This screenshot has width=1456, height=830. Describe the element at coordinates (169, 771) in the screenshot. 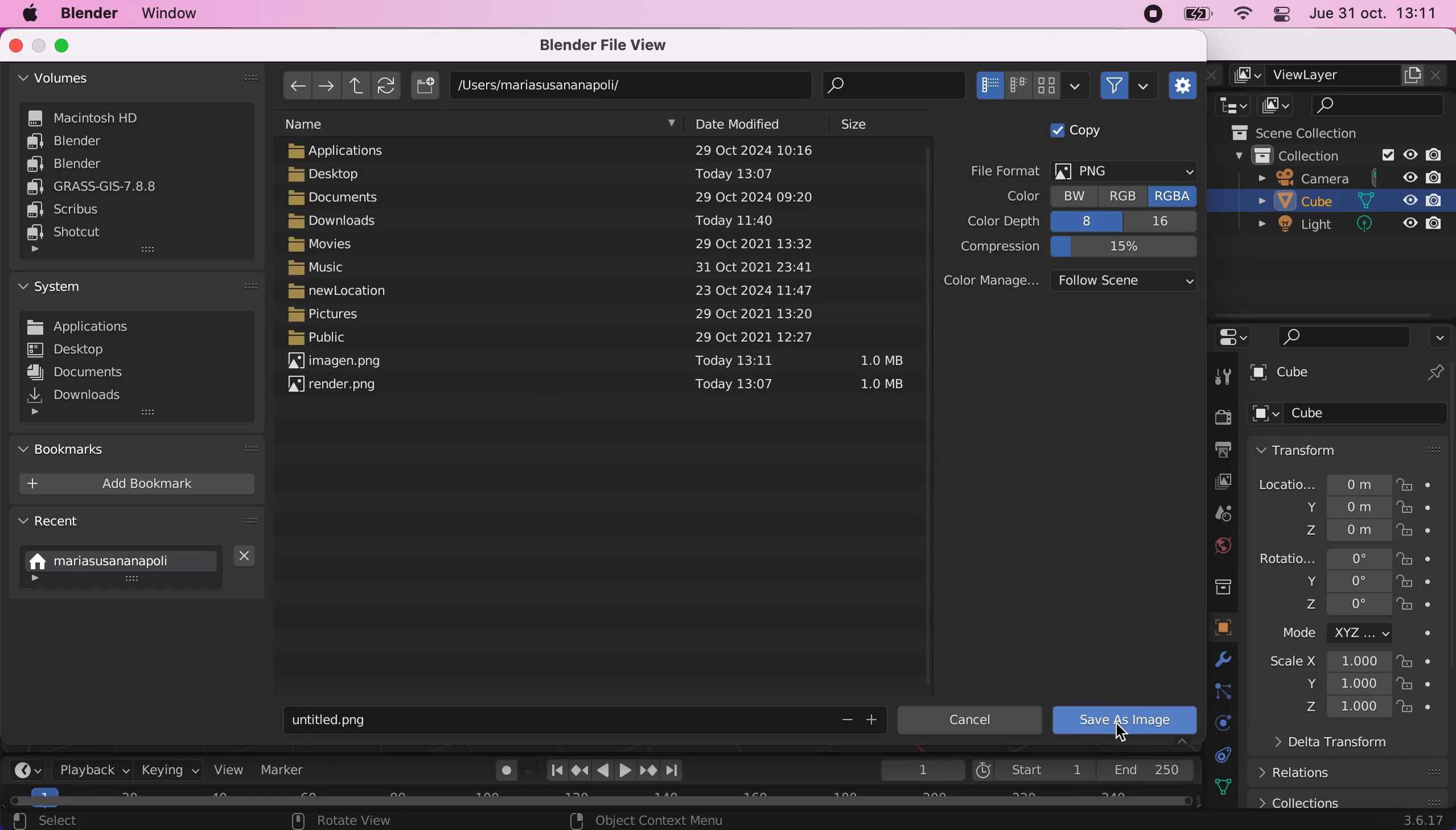

I see `keying` at that location.